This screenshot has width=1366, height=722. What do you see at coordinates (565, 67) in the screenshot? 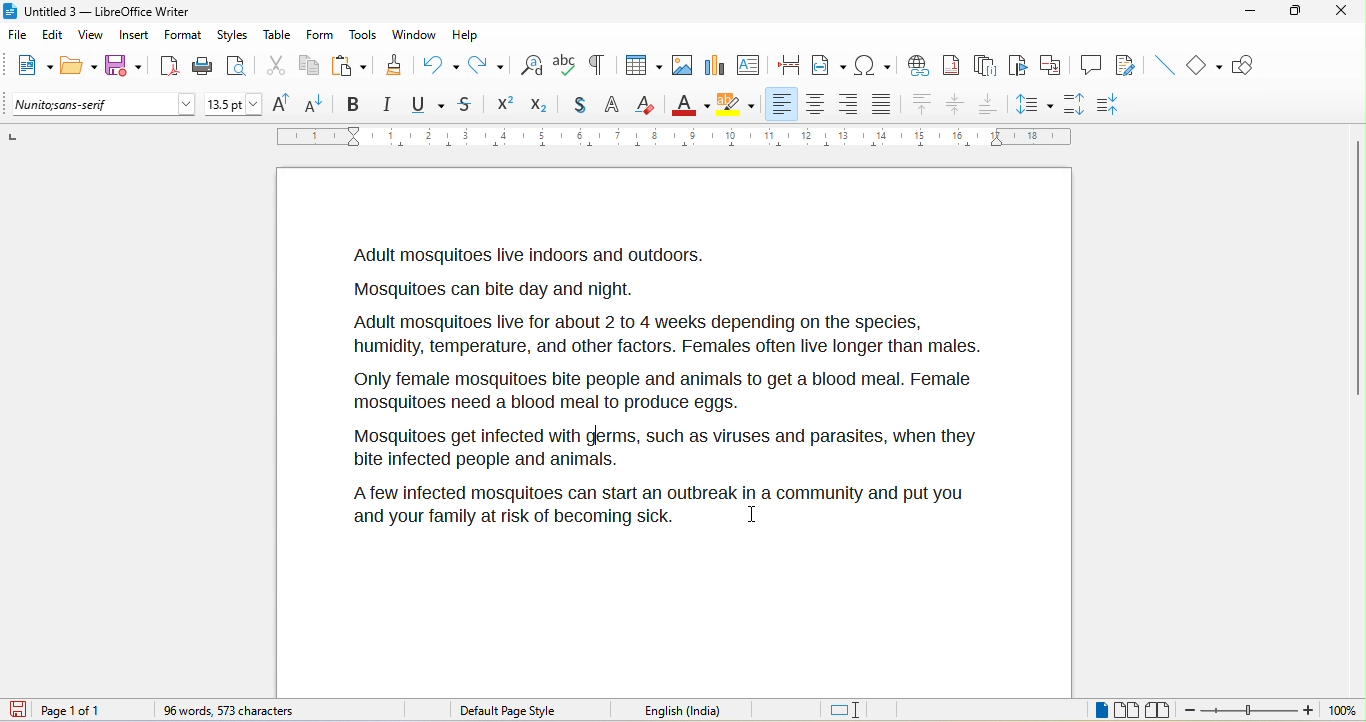
I see `spelling` at bounding box center [565, 67].